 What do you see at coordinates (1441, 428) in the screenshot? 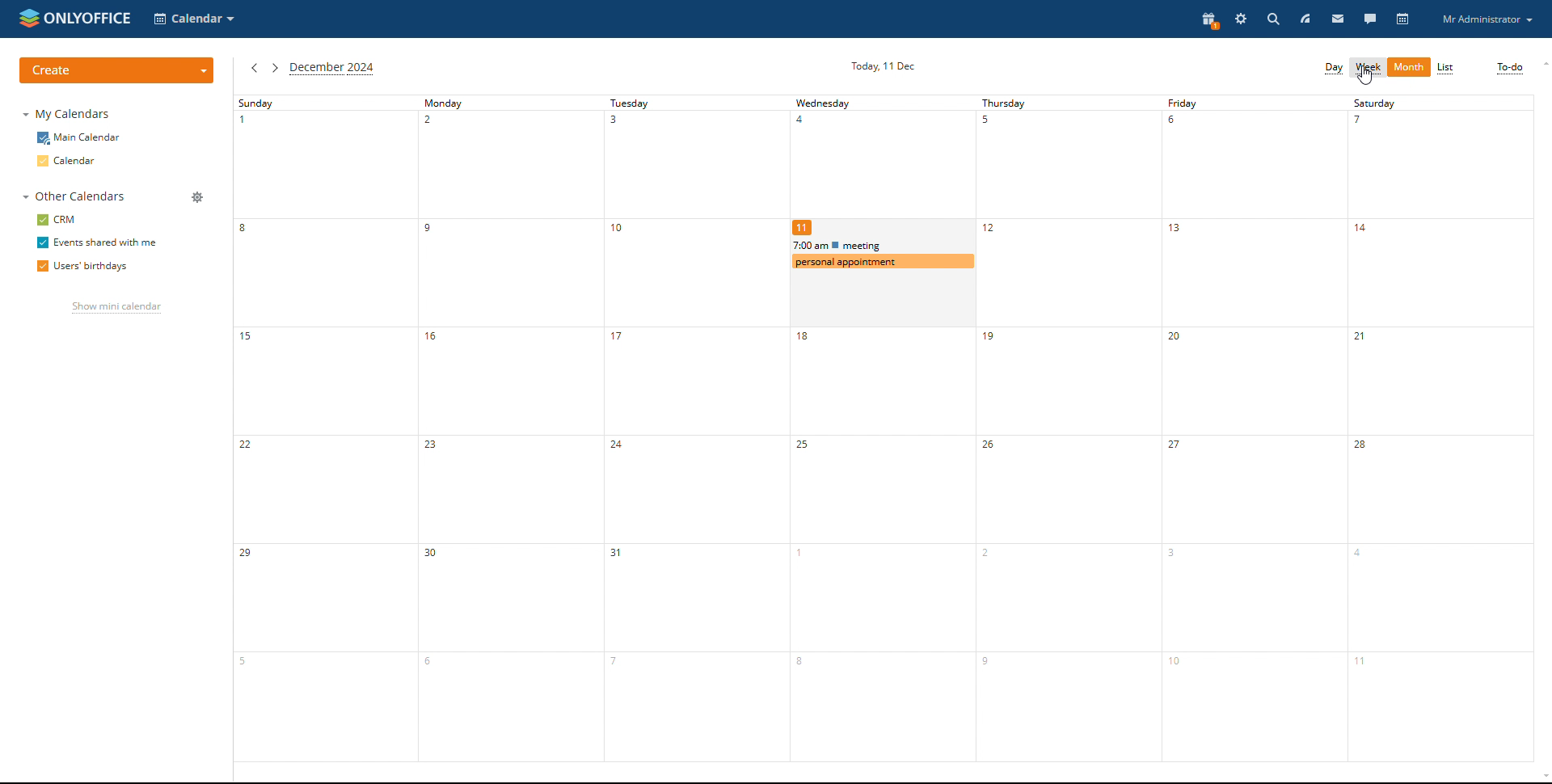
I see `saturday` at bounding box center [1441, 428].